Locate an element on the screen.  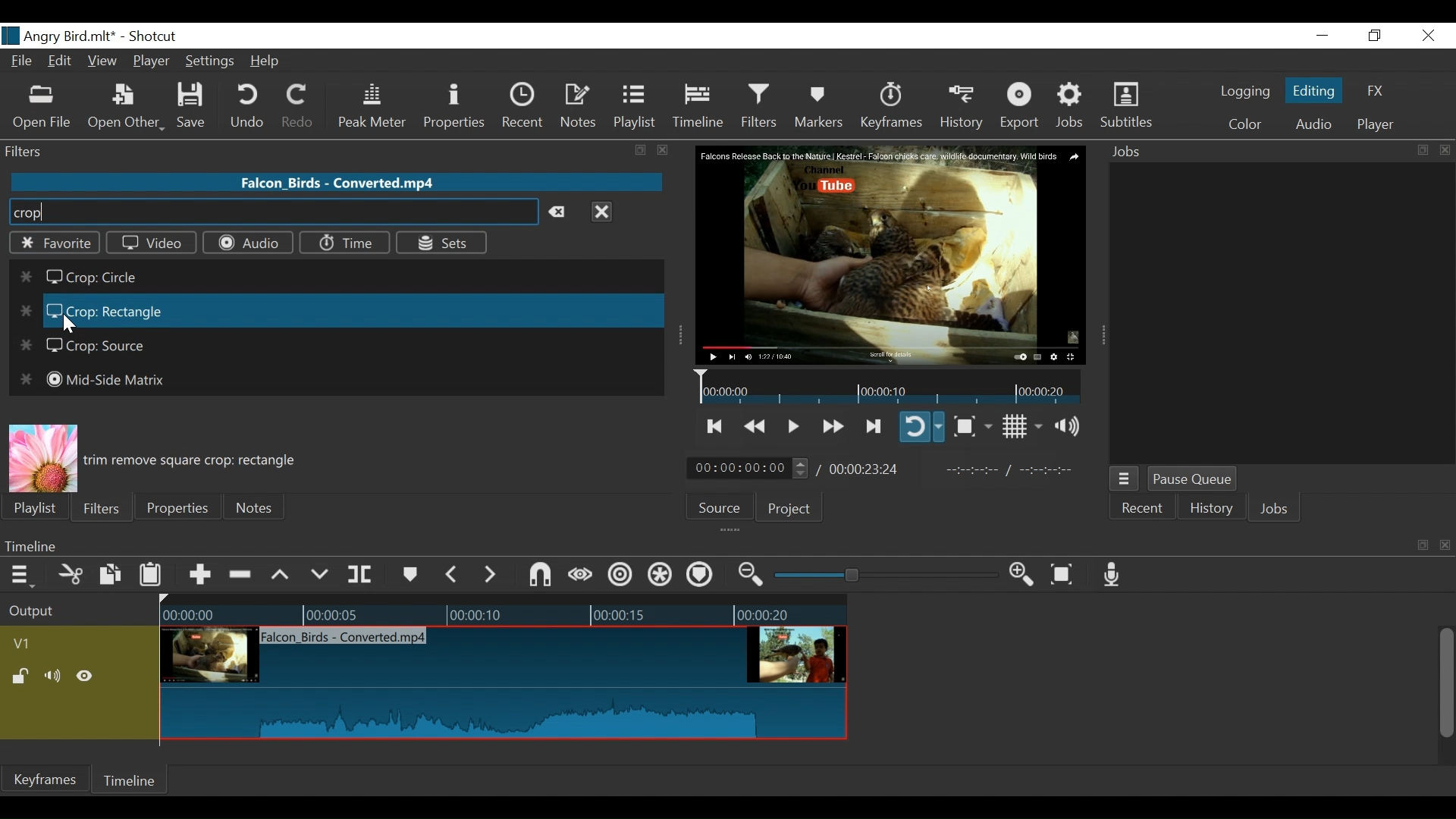
Crop Source is located at coordinates (86, 347).